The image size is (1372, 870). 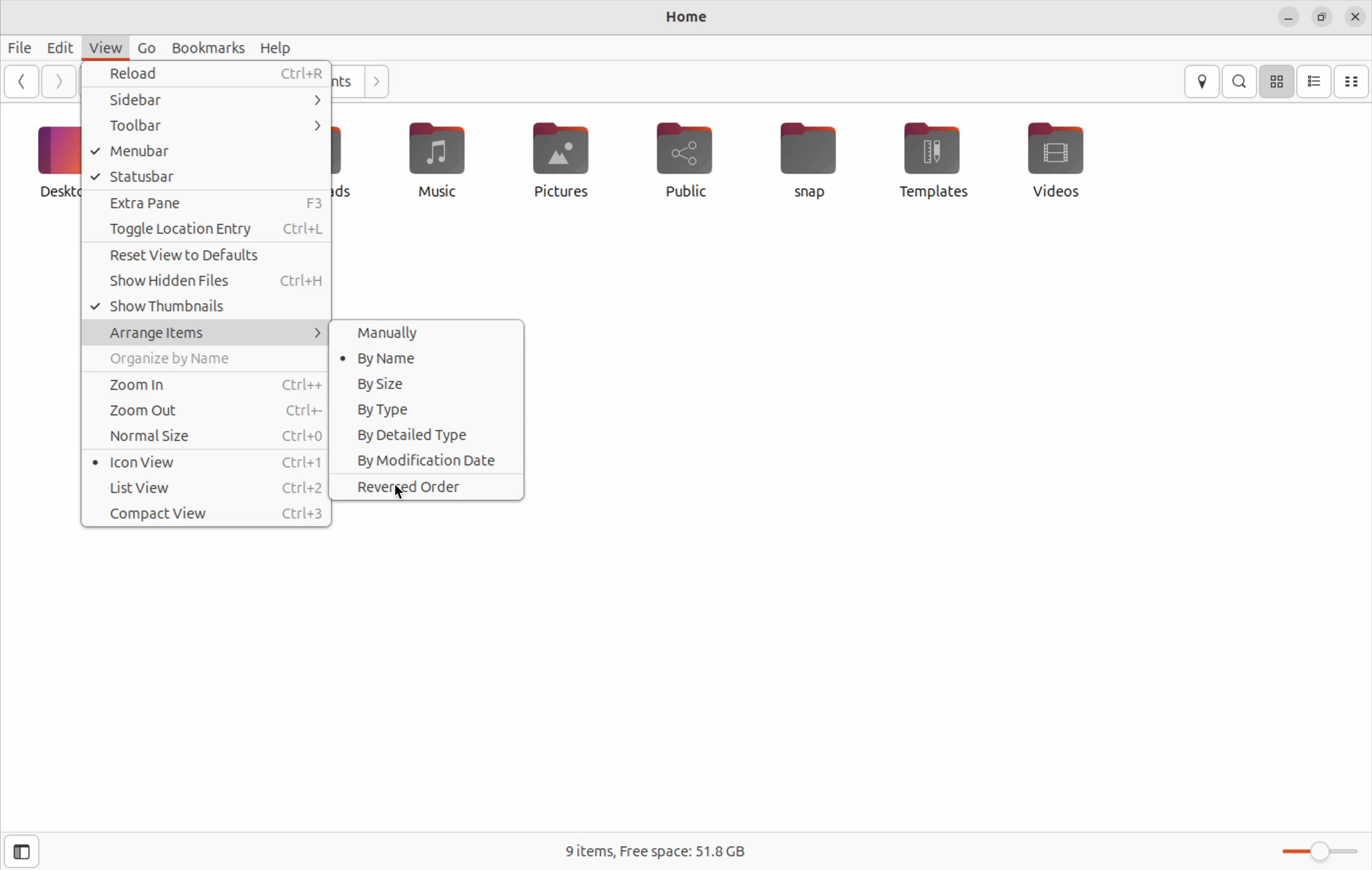 I want to click on organize by name, so click(x=199, y=360).